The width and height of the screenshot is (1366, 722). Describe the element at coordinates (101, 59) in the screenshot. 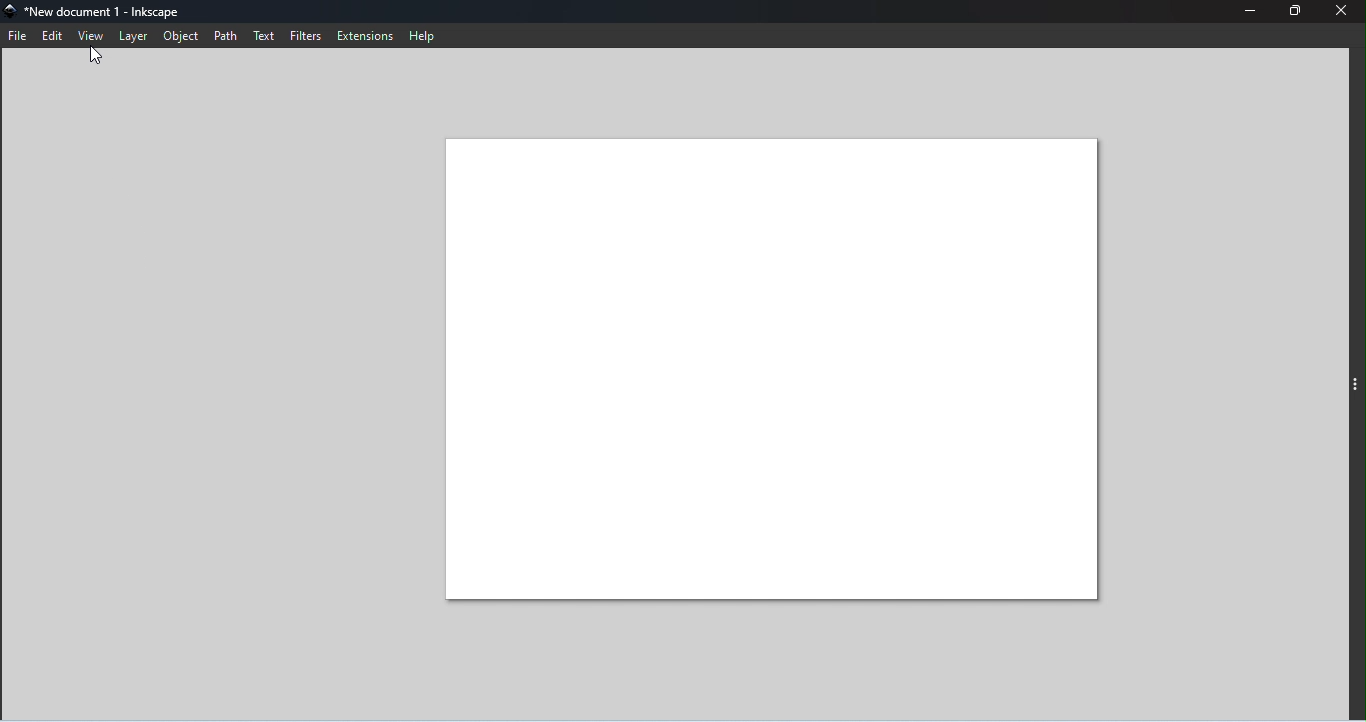

I see `Cursor` at that location.